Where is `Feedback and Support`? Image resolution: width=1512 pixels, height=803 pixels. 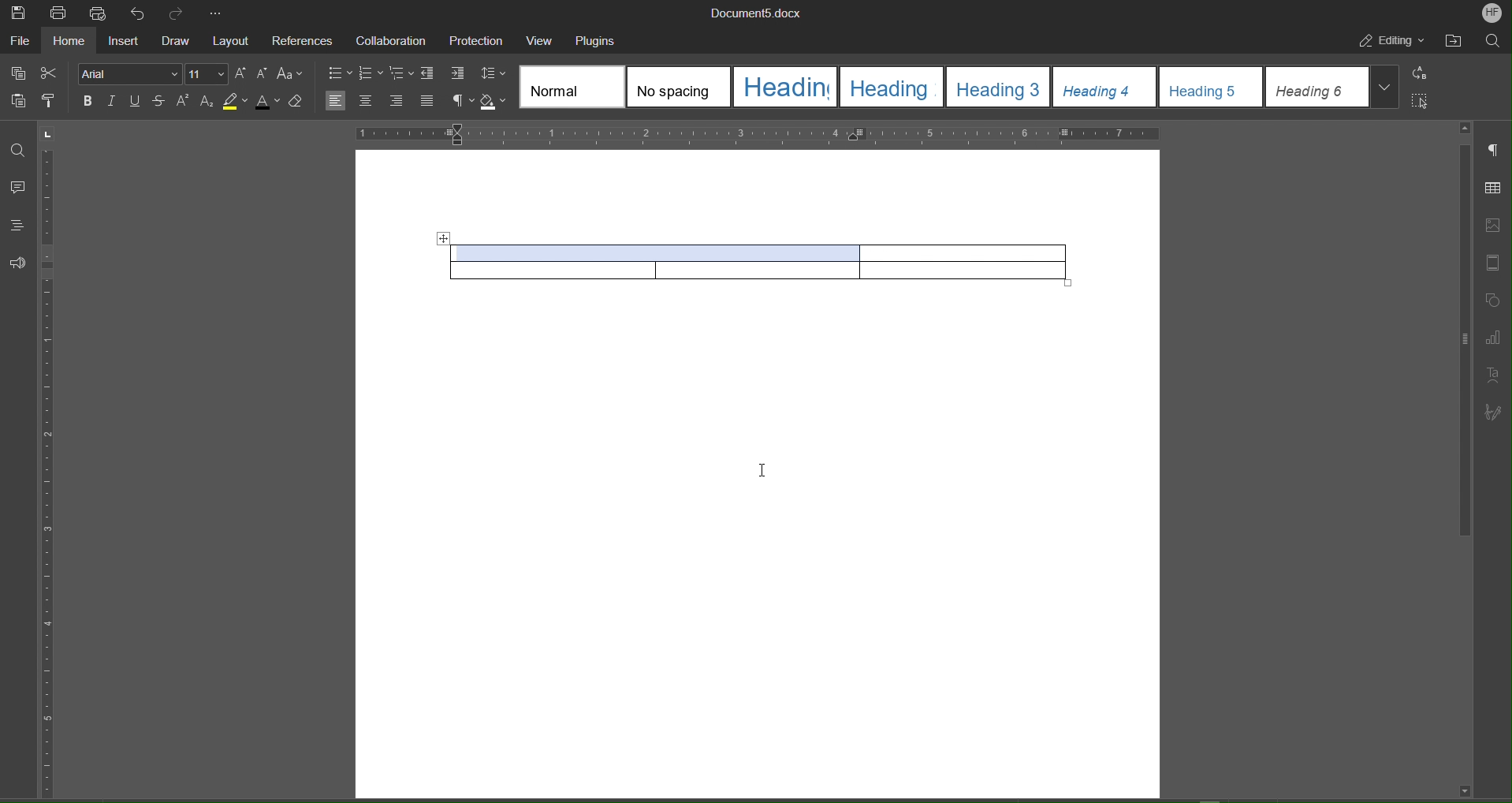
Feedback and Support is located at coordinates (18, 263).